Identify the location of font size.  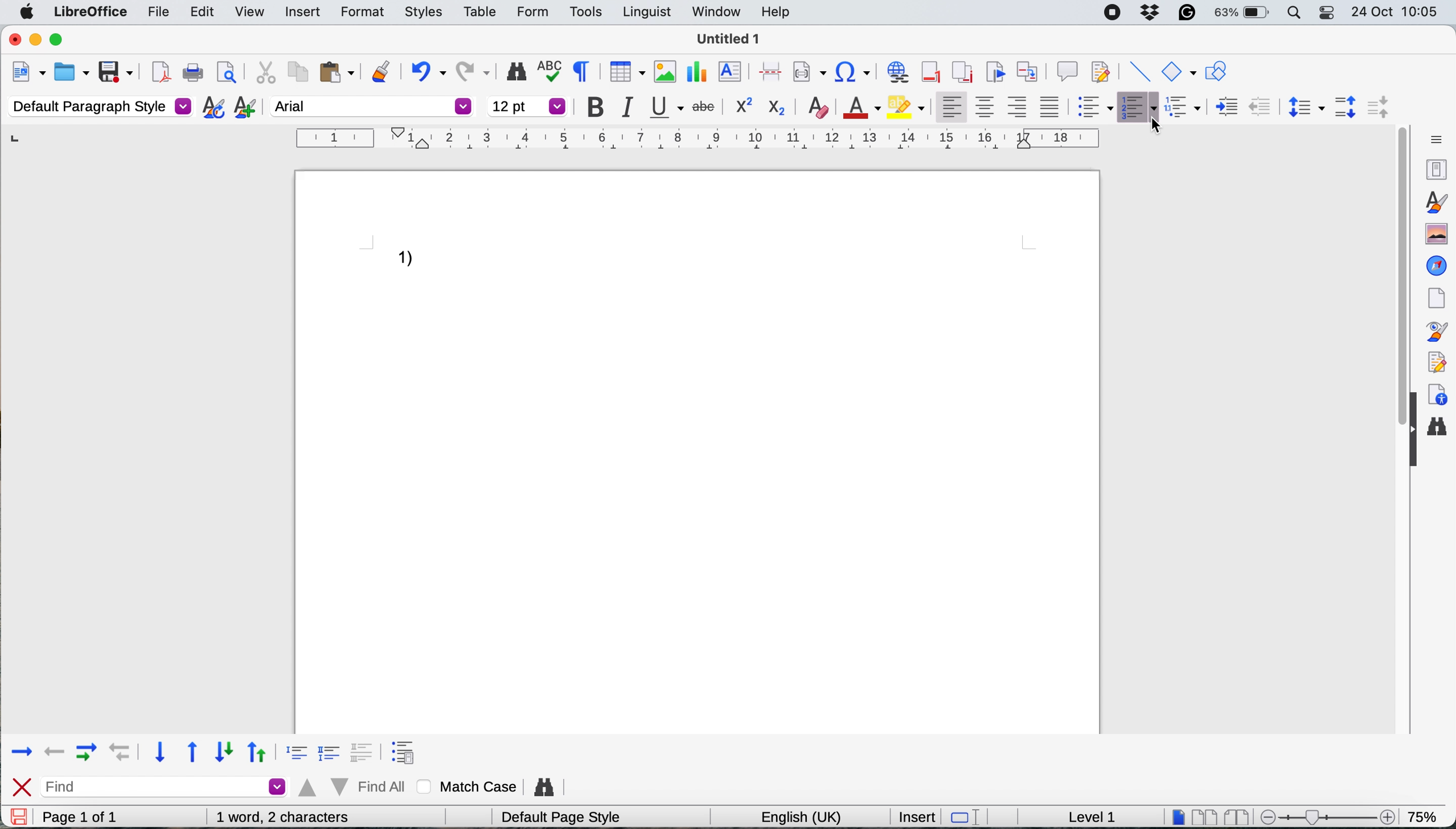
(528, 106).